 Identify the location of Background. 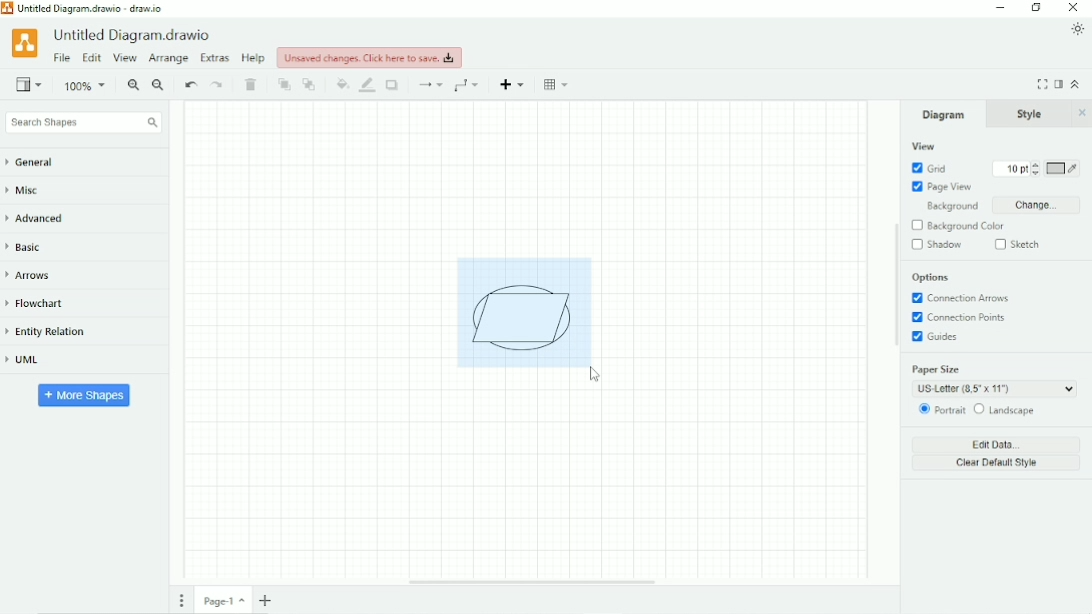
(948, 207).